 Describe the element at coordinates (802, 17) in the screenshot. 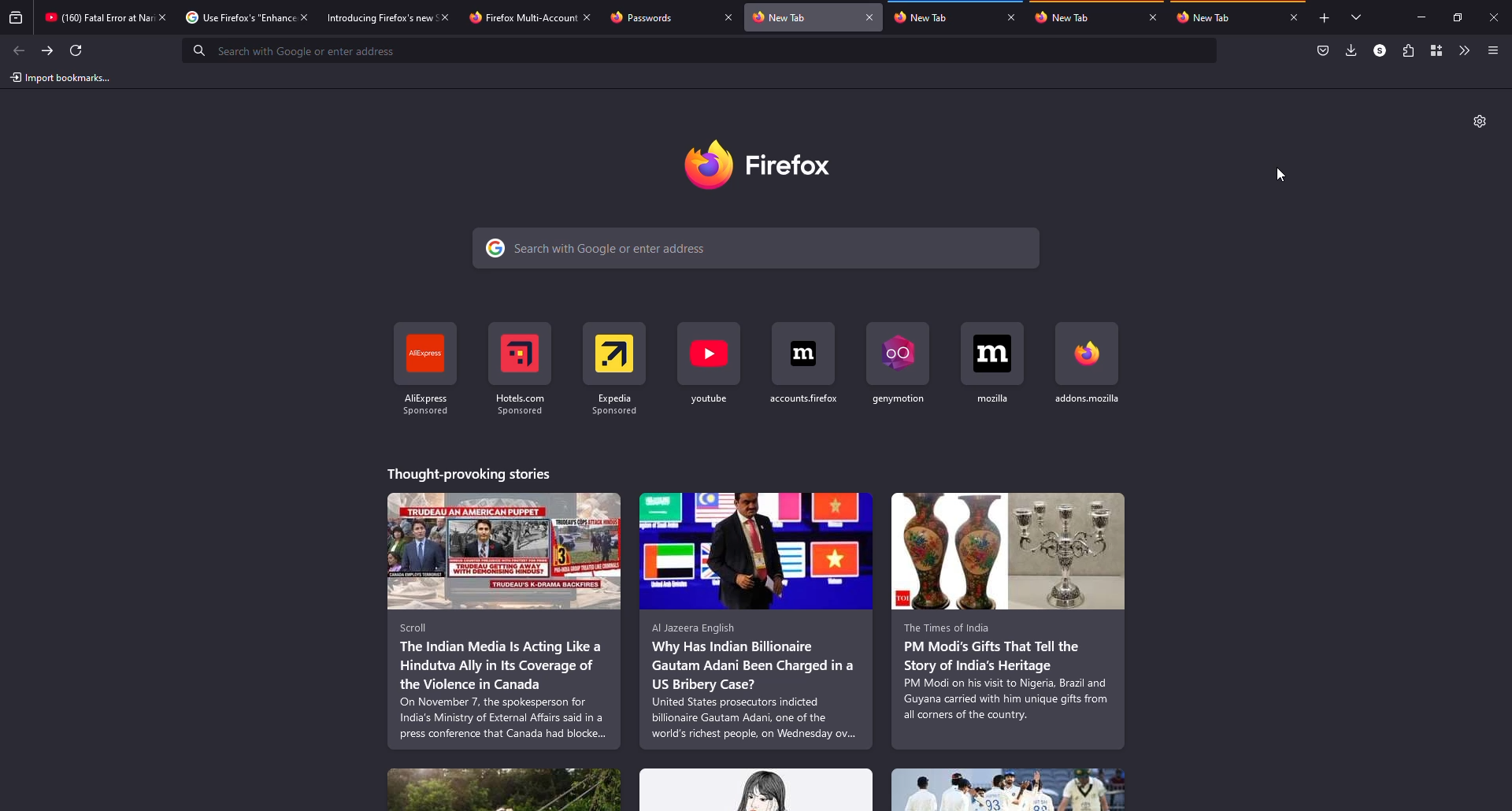

I see `tab` at that location.